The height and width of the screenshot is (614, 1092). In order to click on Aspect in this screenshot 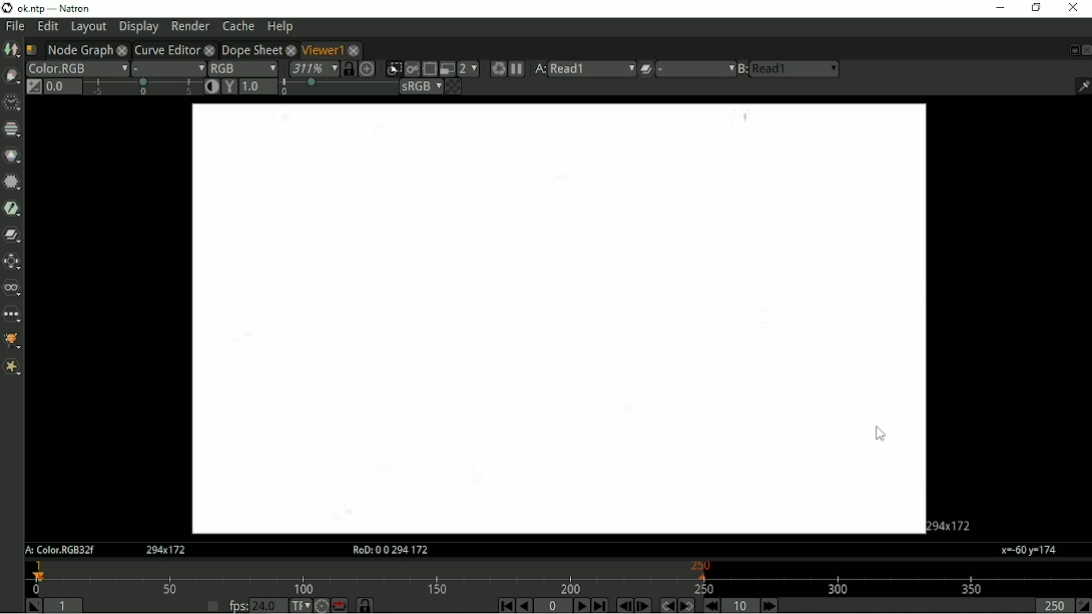, I will do `click(166, 551)`.